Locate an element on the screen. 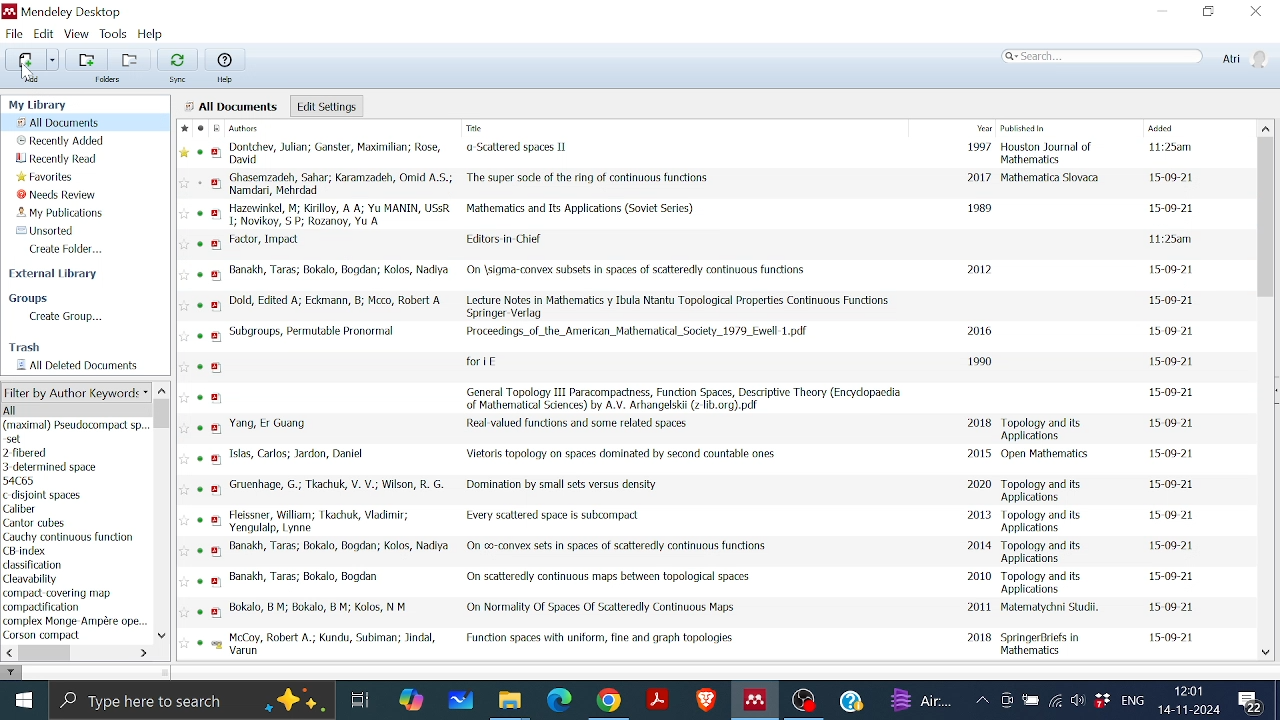 This screenshot has height=720, width=1280. 1997 is located at coordinates (975, 148).